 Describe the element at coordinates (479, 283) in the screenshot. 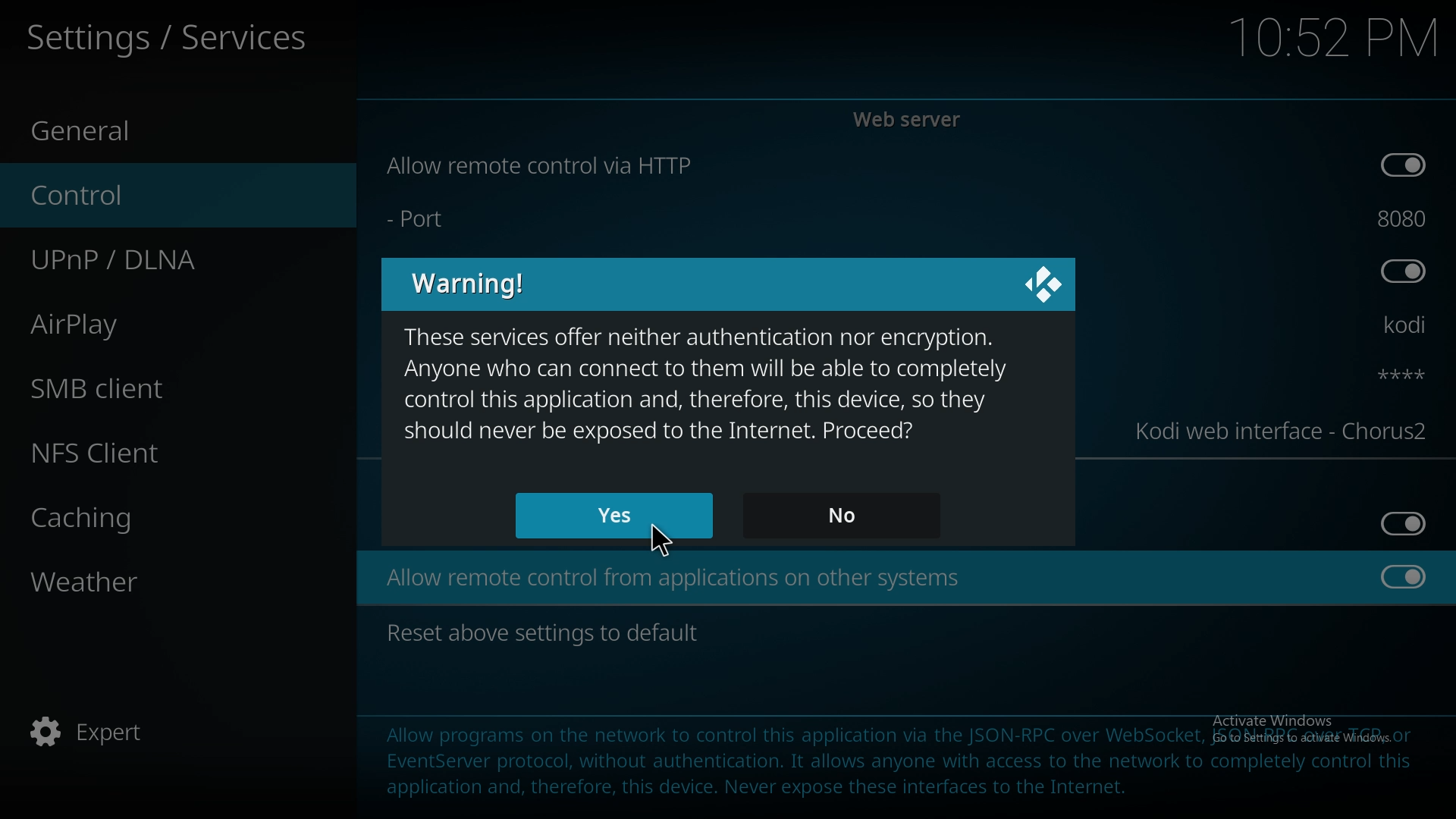

I see `warning` at that location.